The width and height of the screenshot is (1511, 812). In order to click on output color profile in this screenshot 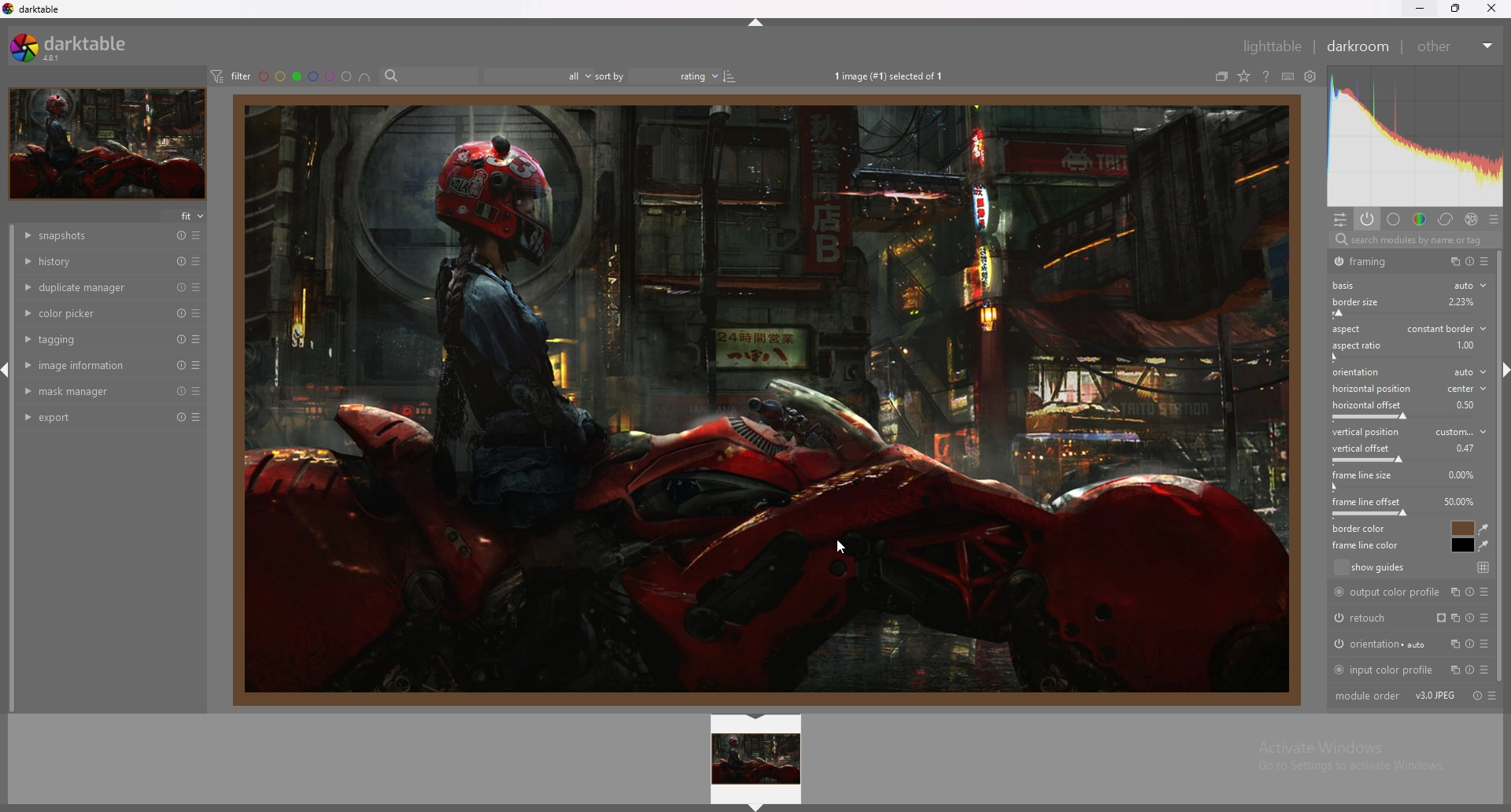, I will do `click(1411, 592)`.